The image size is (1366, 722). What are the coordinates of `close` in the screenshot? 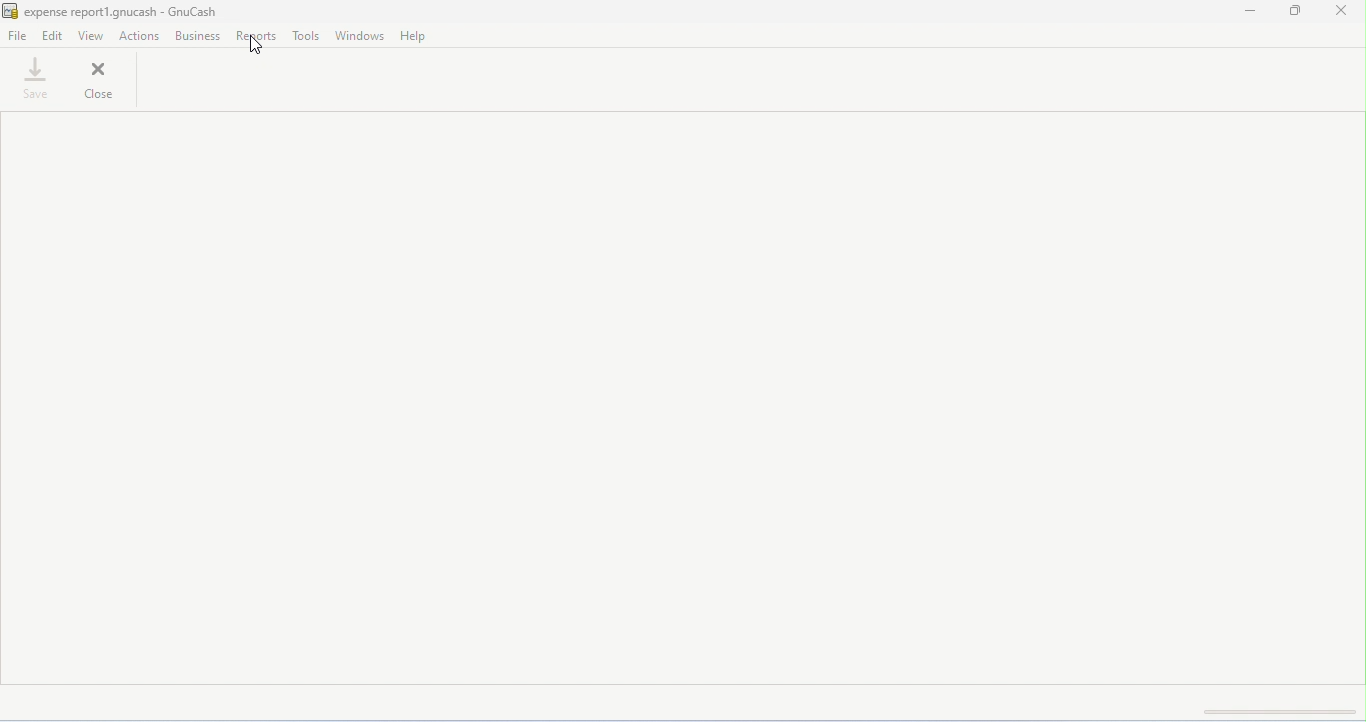 It's located at (1341, 12).